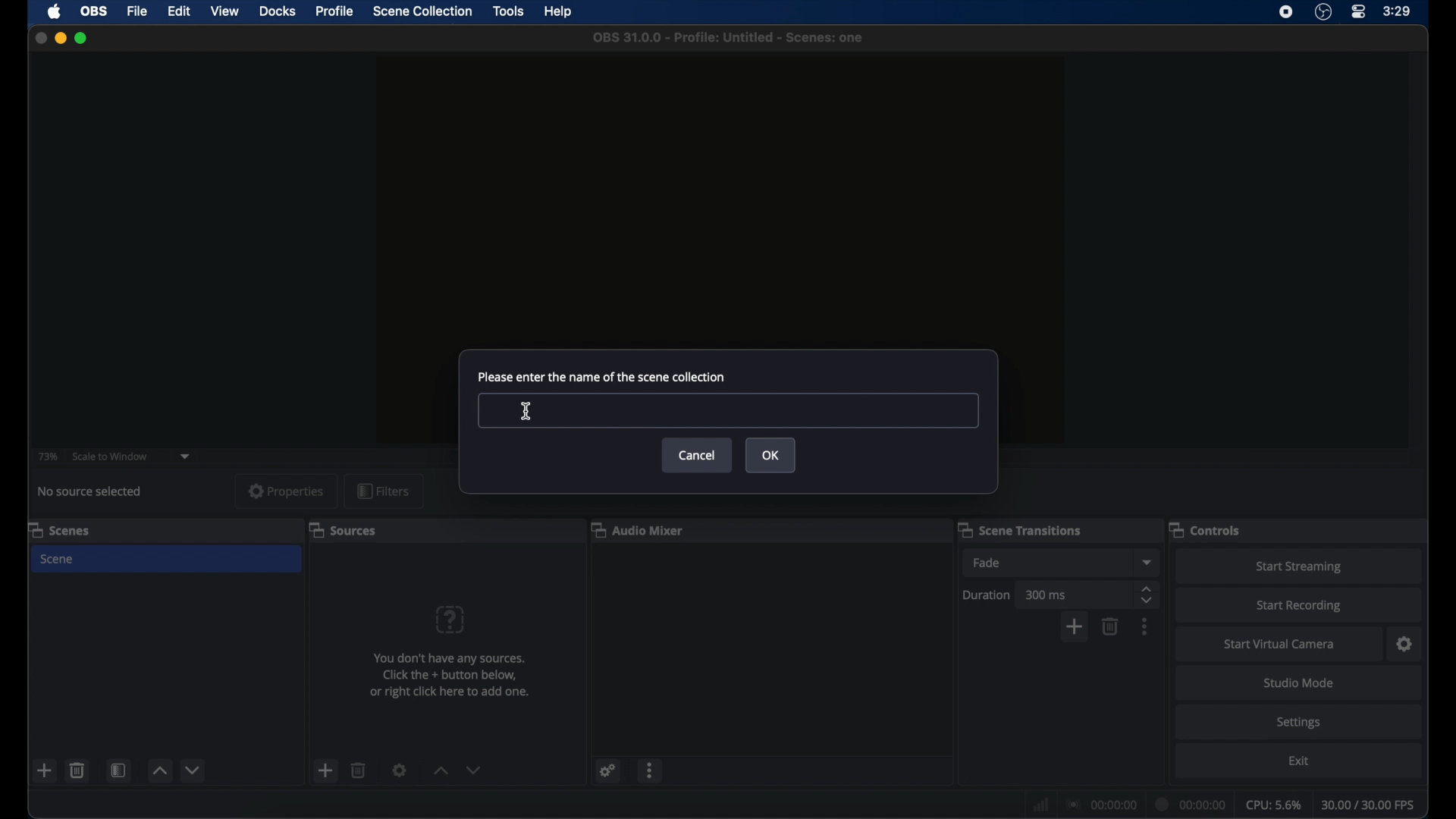 The width and height of the screenshot is (1456, 819). Describe the element at coordinates (1301, 606) in the screenshot. I see `start recording` at that location.